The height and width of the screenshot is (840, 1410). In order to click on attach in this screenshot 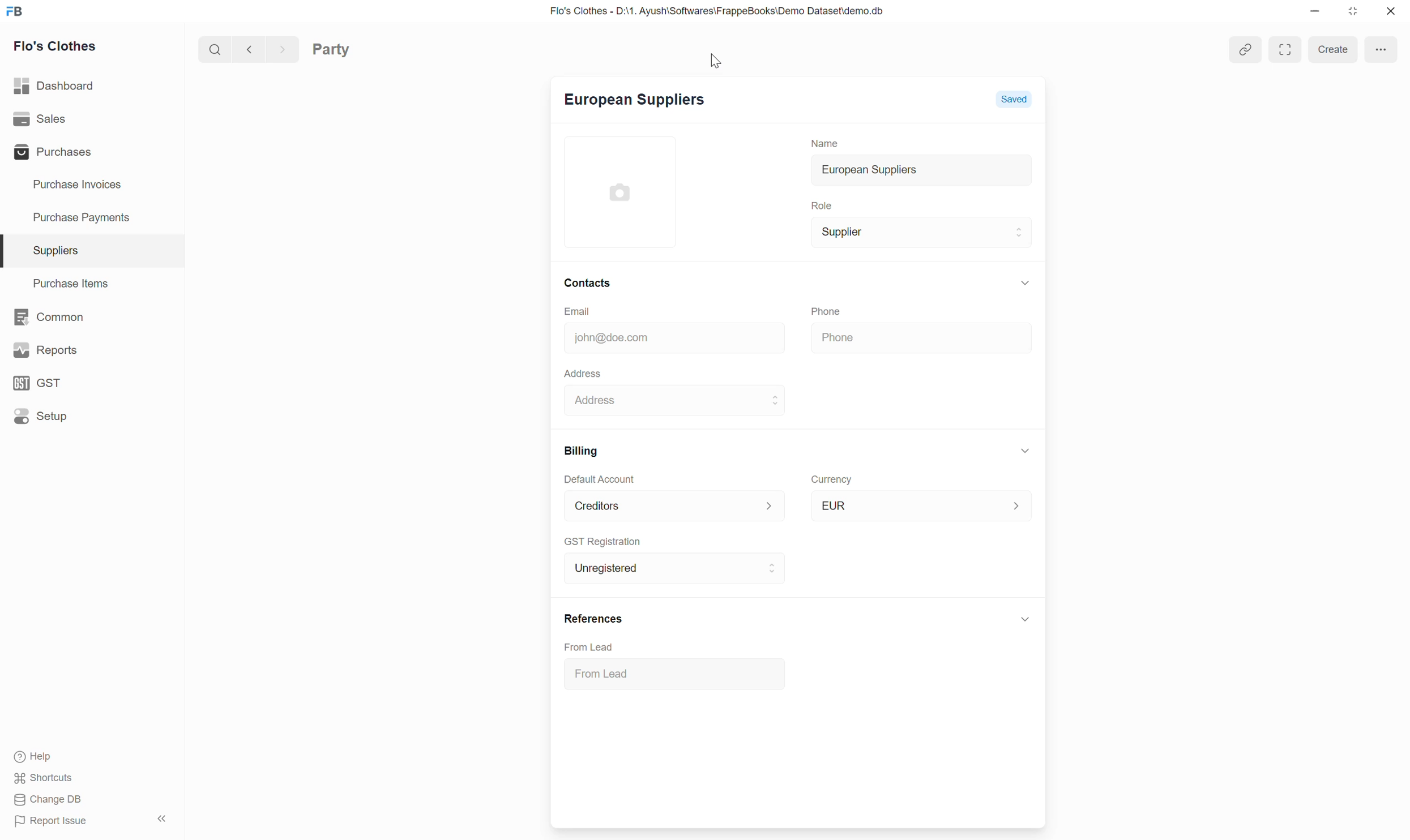, I will do `click(1246, 48)`.